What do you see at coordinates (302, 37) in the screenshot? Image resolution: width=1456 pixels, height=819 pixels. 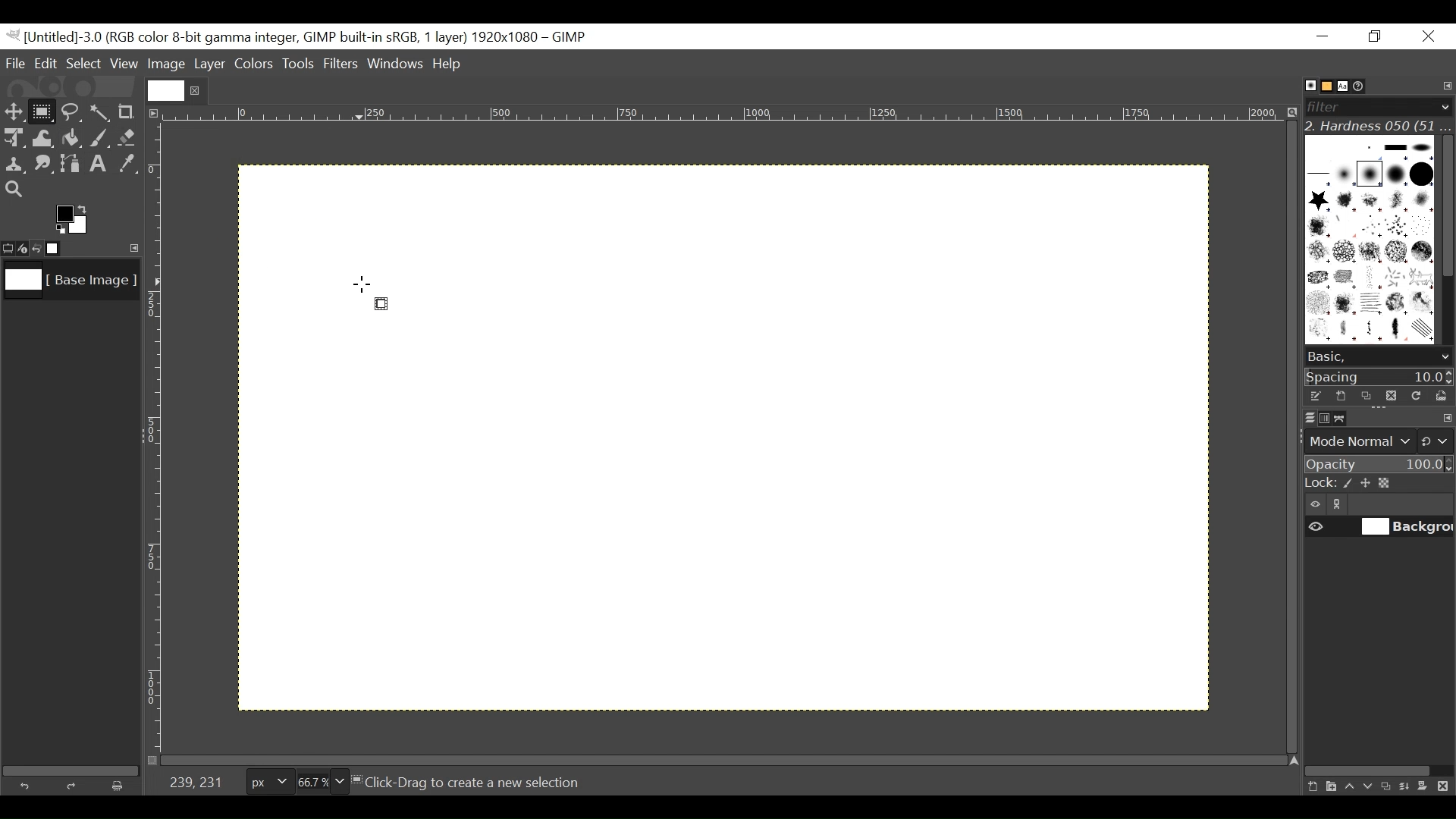 I see `Gimp File Name` at bounding box center [302, 37].